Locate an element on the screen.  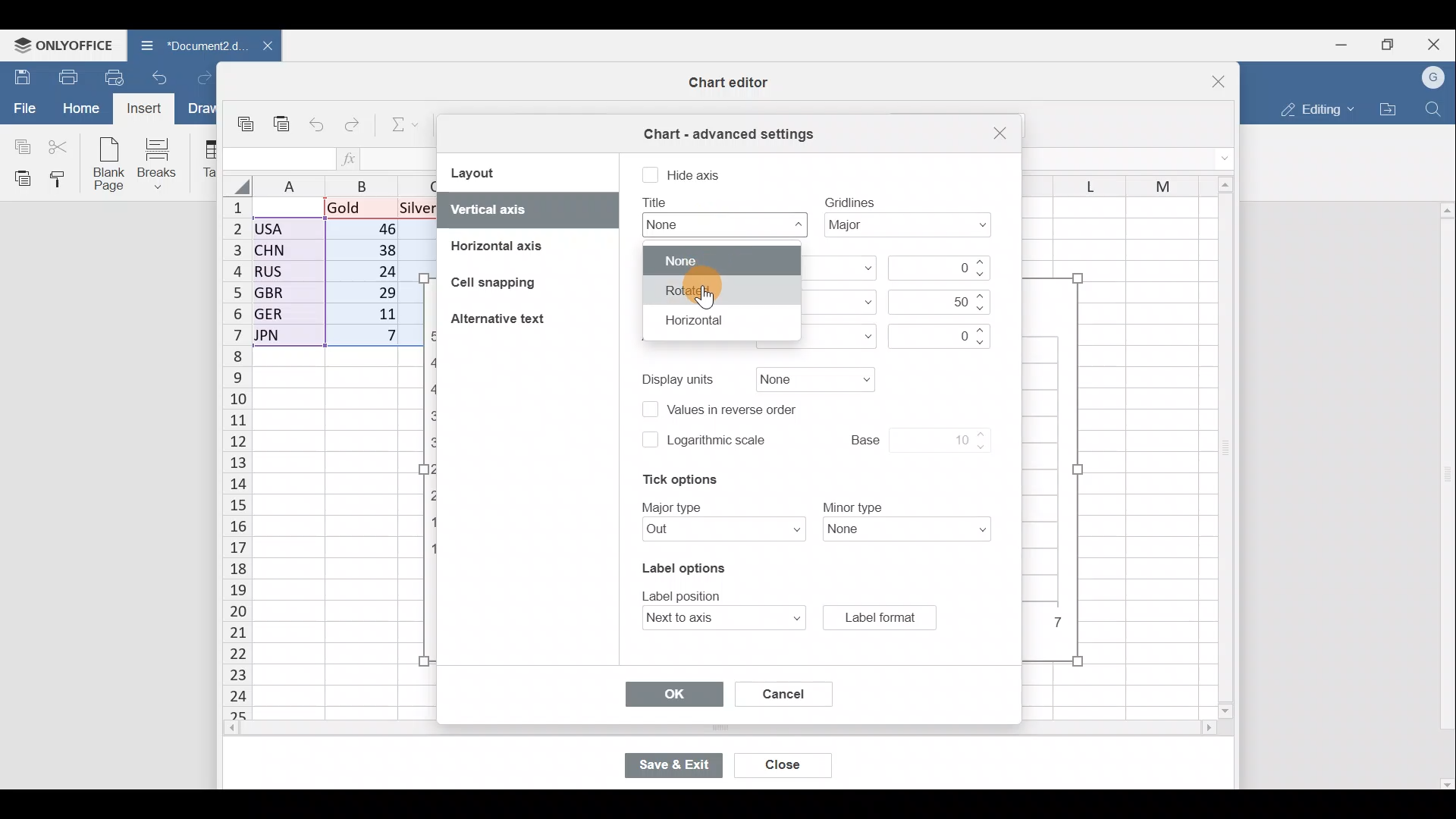
Minimize is located at coordinates (1338, 46).